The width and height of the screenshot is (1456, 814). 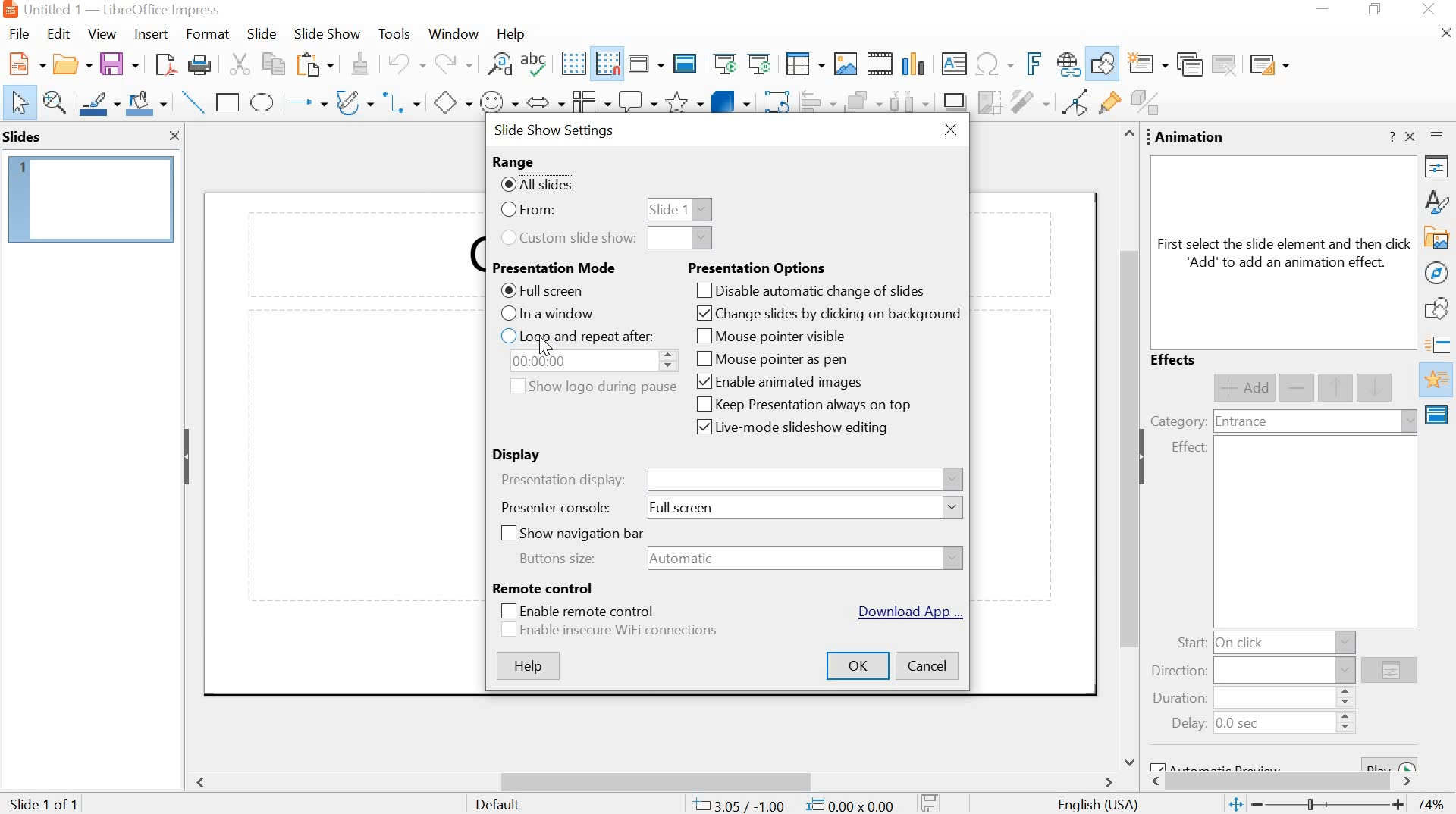 I want to click on slideshow from current slide, so click(x=762, y=64).